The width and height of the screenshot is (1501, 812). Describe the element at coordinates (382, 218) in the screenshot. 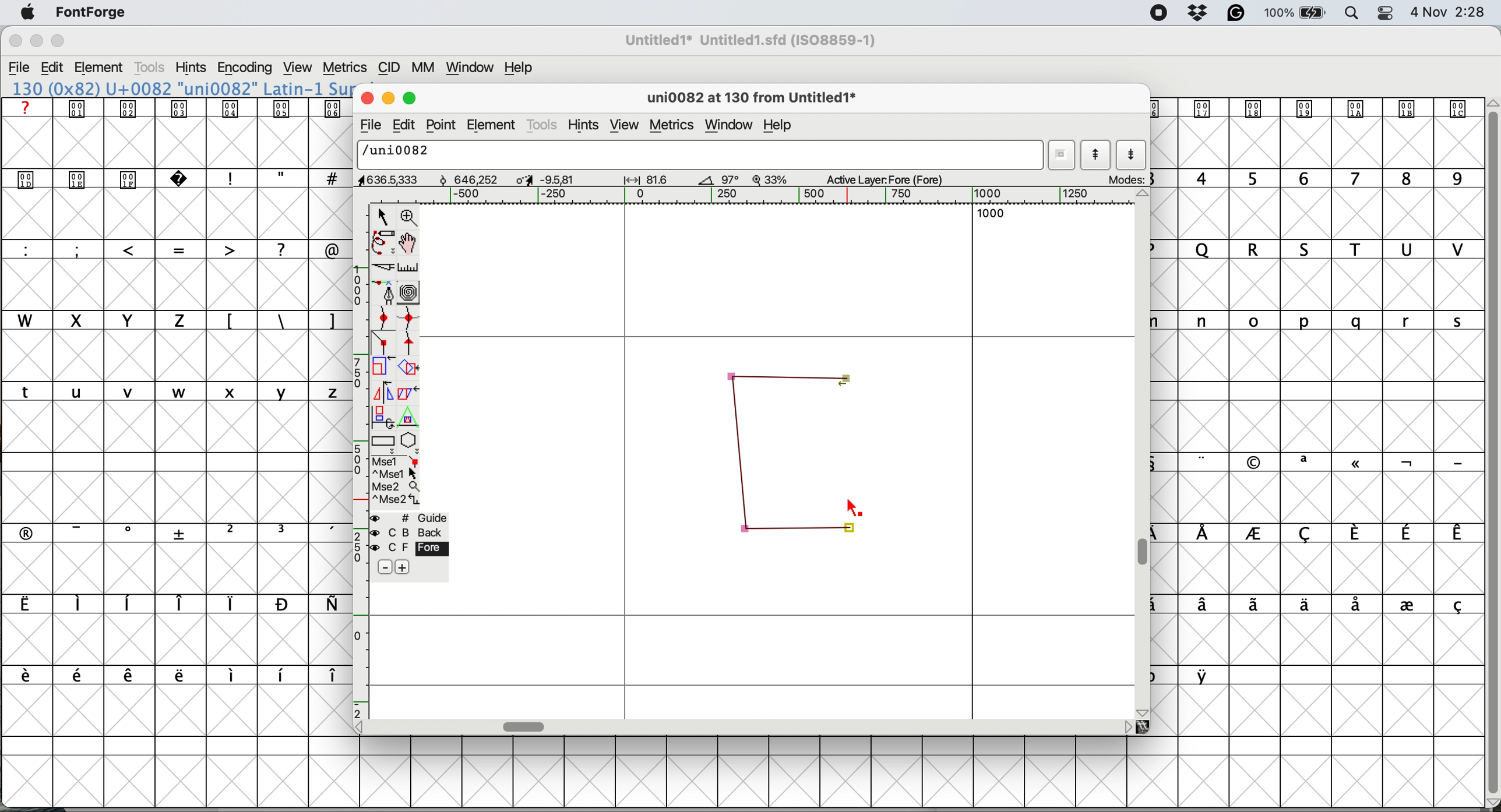

I see `selector` at that location.